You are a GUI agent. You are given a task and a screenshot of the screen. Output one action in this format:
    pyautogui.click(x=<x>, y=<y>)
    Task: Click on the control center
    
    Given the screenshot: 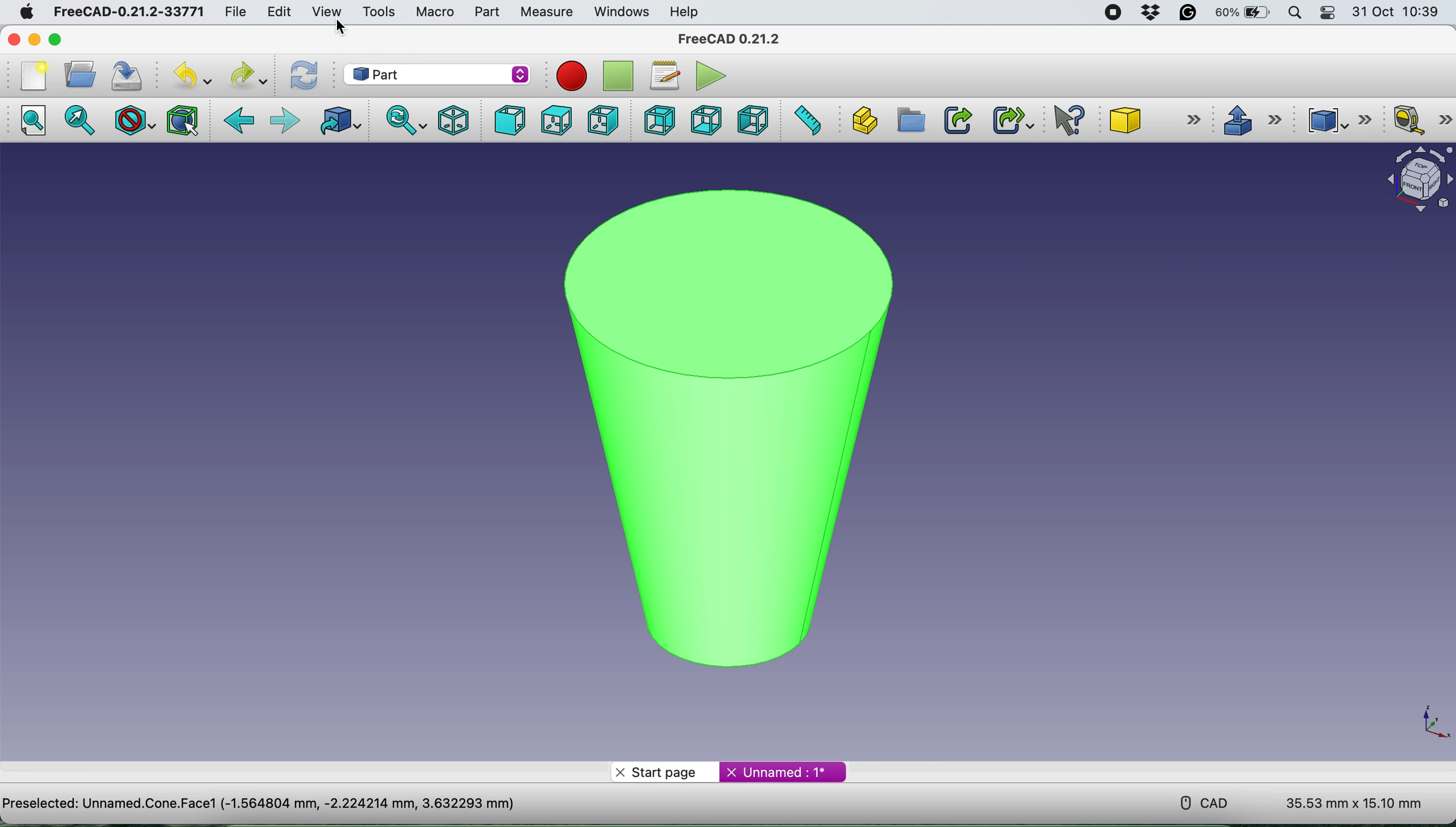 What is the action you would take?
    pyautogui.click(x=1329, y=14)
    